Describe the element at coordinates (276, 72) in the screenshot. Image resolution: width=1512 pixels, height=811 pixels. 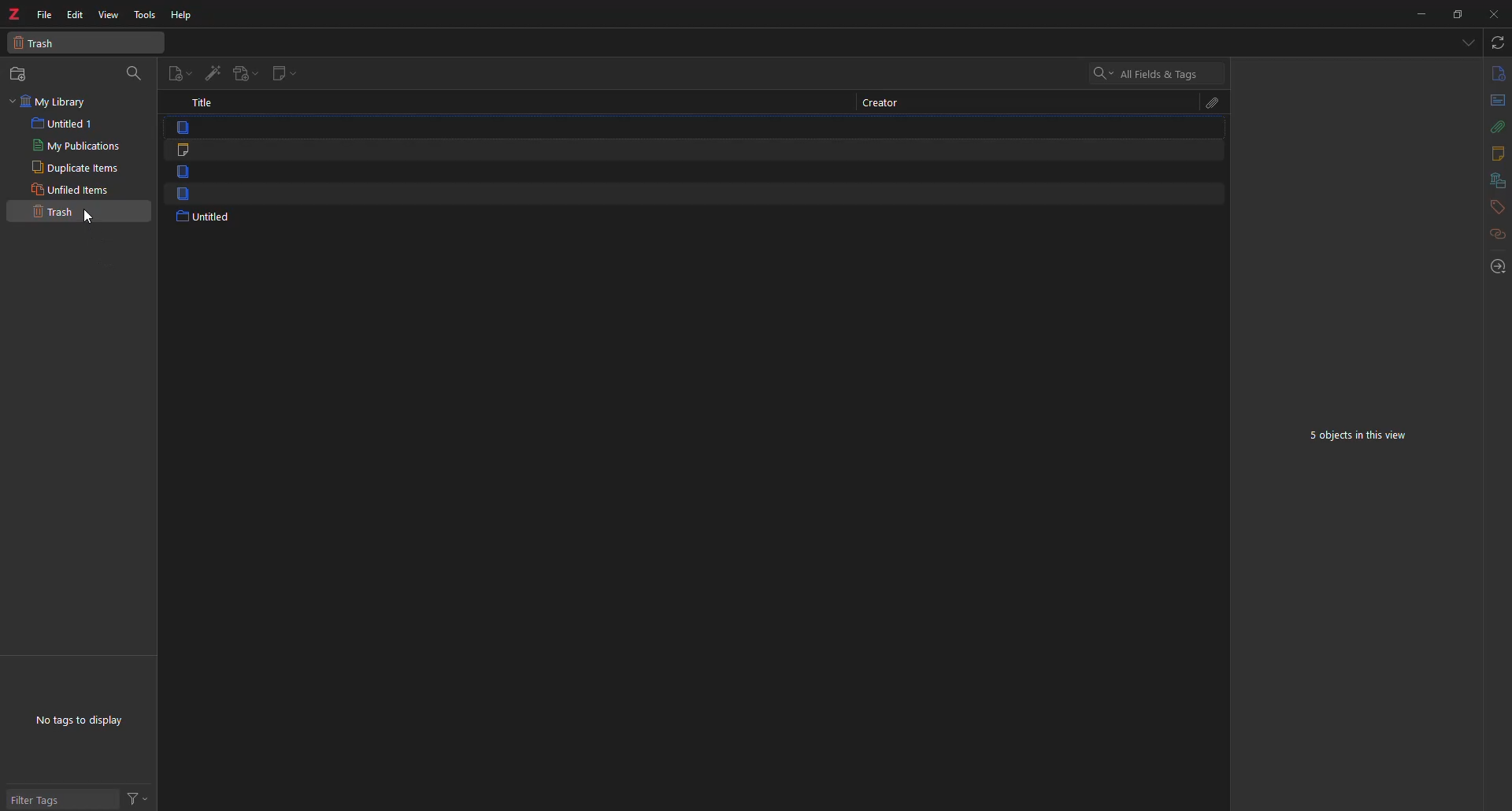
I see `new note` at that location.